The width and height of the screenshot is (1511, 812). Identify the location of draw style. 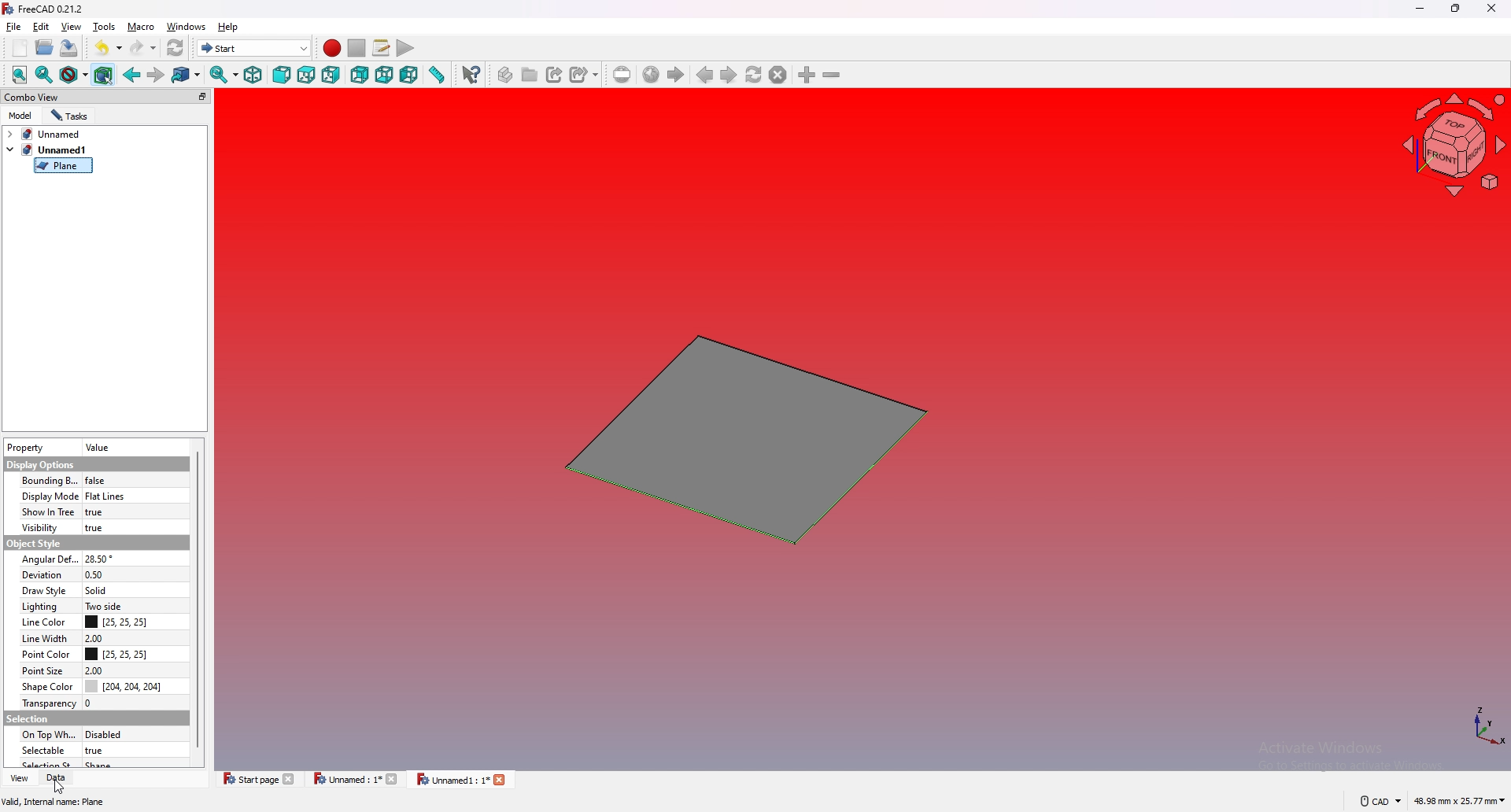
(74, 75).